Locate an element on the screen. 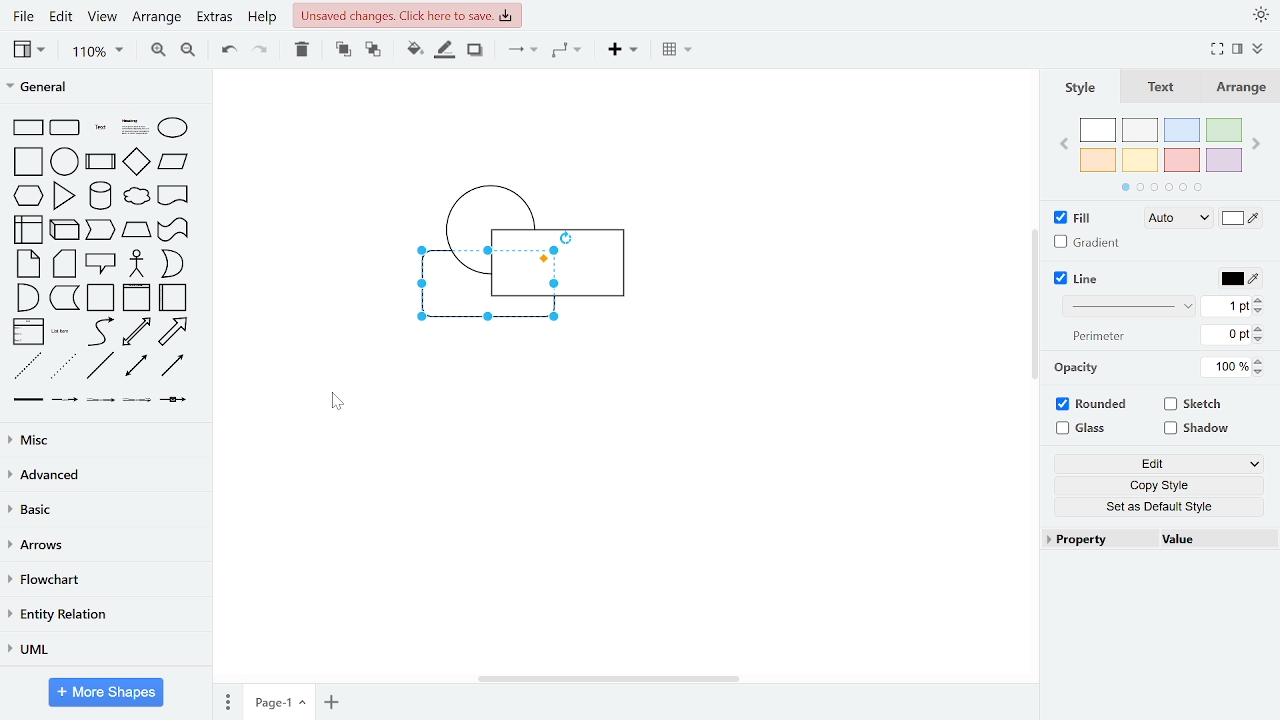  note is located at coordinates (28, 264).